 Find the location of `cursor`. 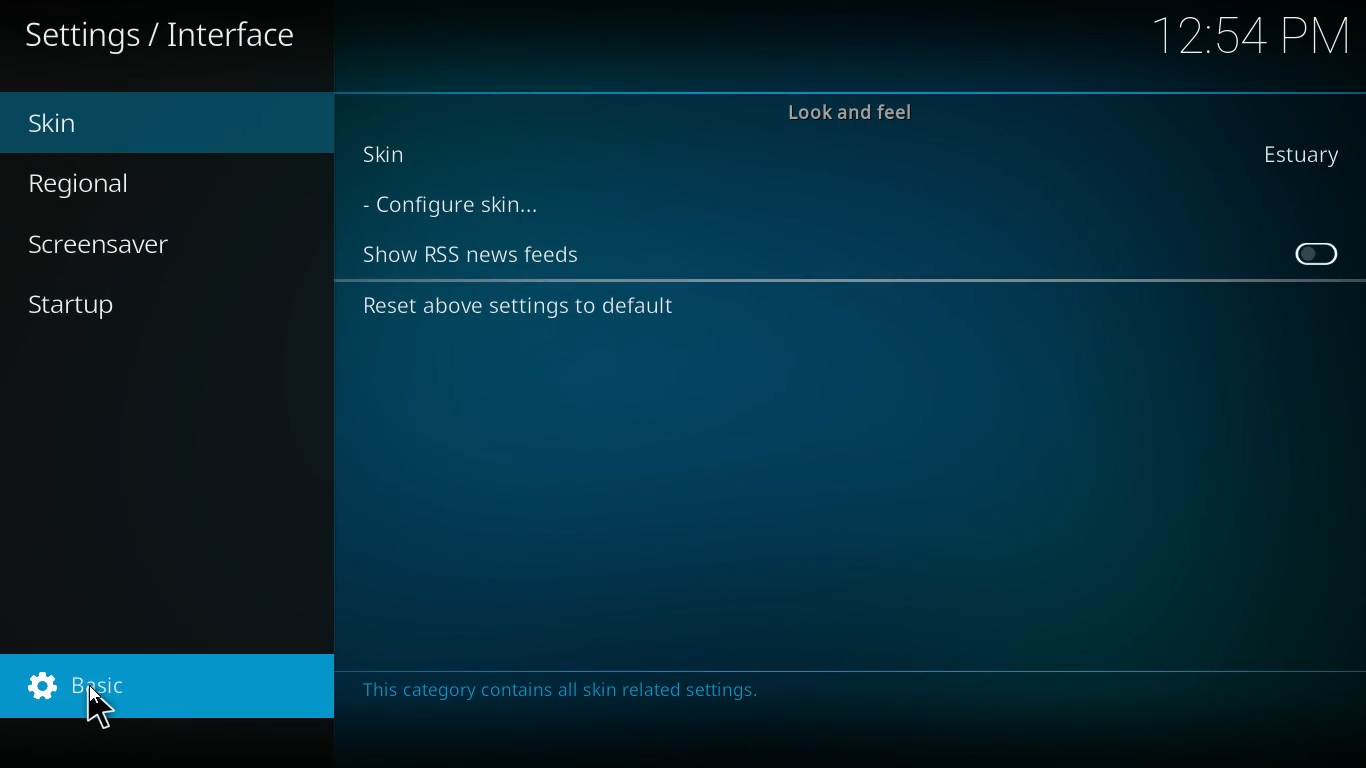

cursor is located at coordinates (98, 708).